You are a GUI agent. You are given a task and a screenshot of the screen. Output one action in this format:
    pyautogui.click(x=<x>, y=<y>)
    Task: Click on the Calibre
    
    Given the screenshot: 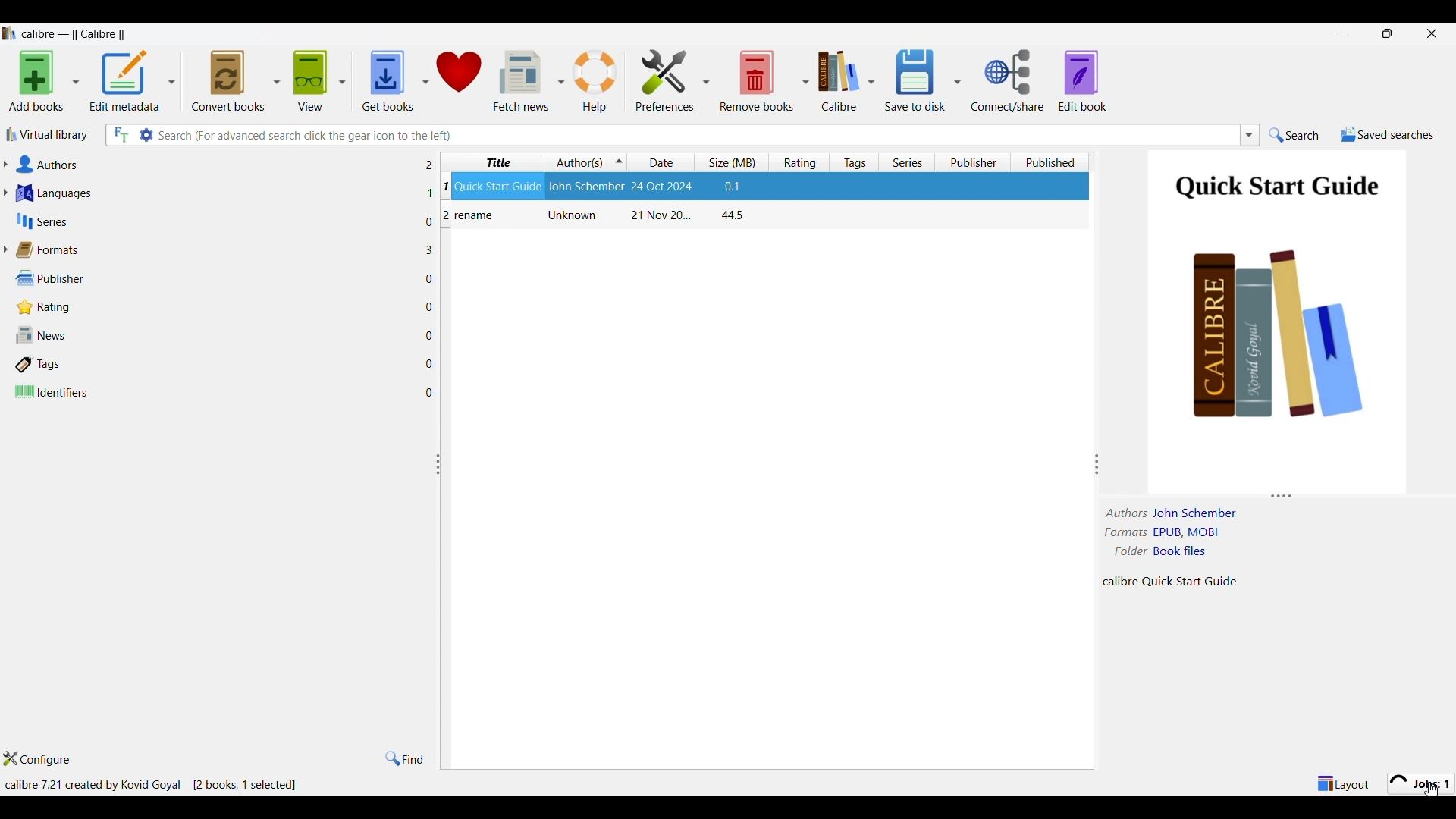 What is the action you would take?
    pyautogui.click(x=838, y=82)
    